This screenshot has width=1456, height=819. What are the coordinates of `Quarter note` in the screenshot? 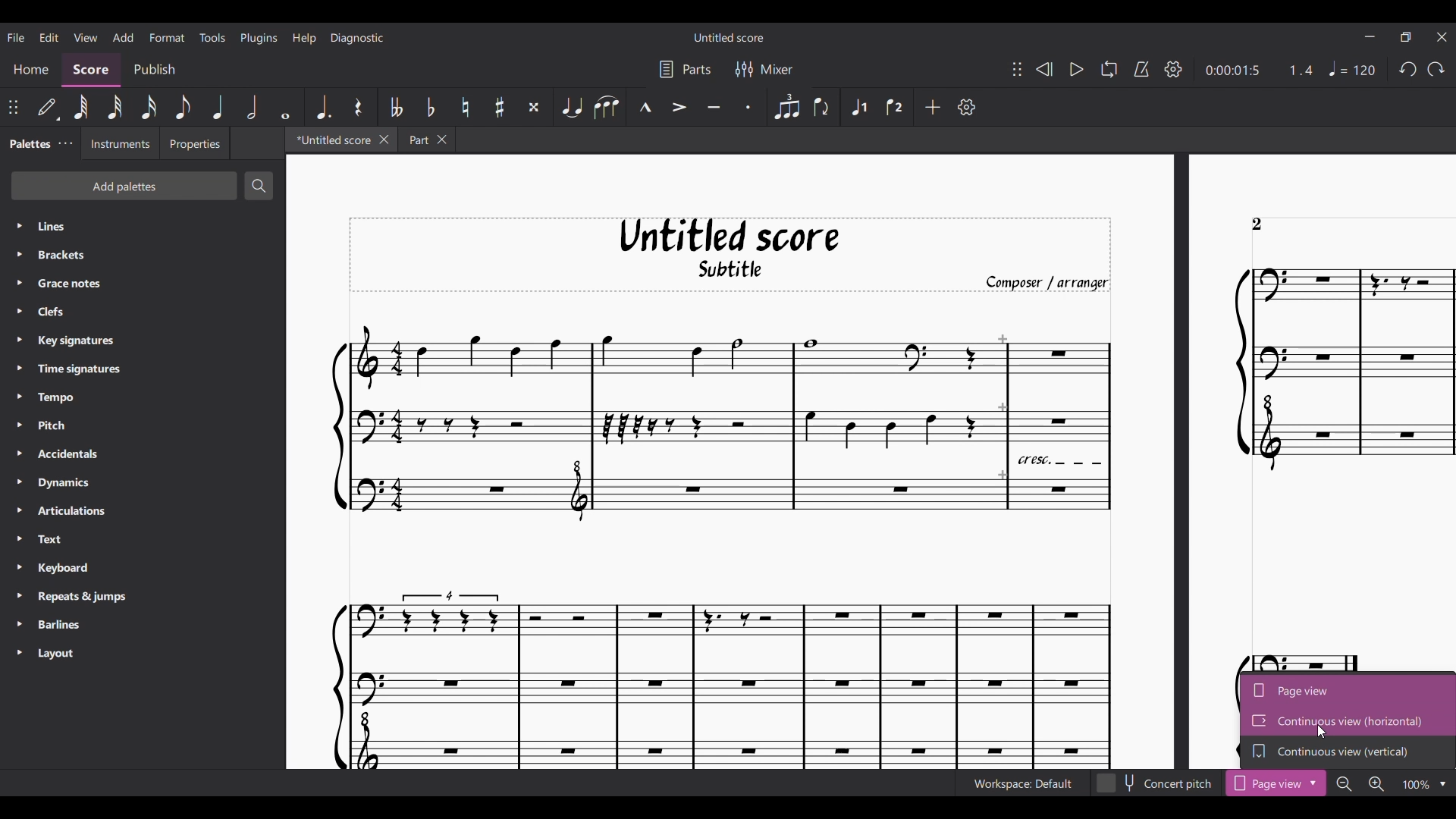 It's located at (219, 107).